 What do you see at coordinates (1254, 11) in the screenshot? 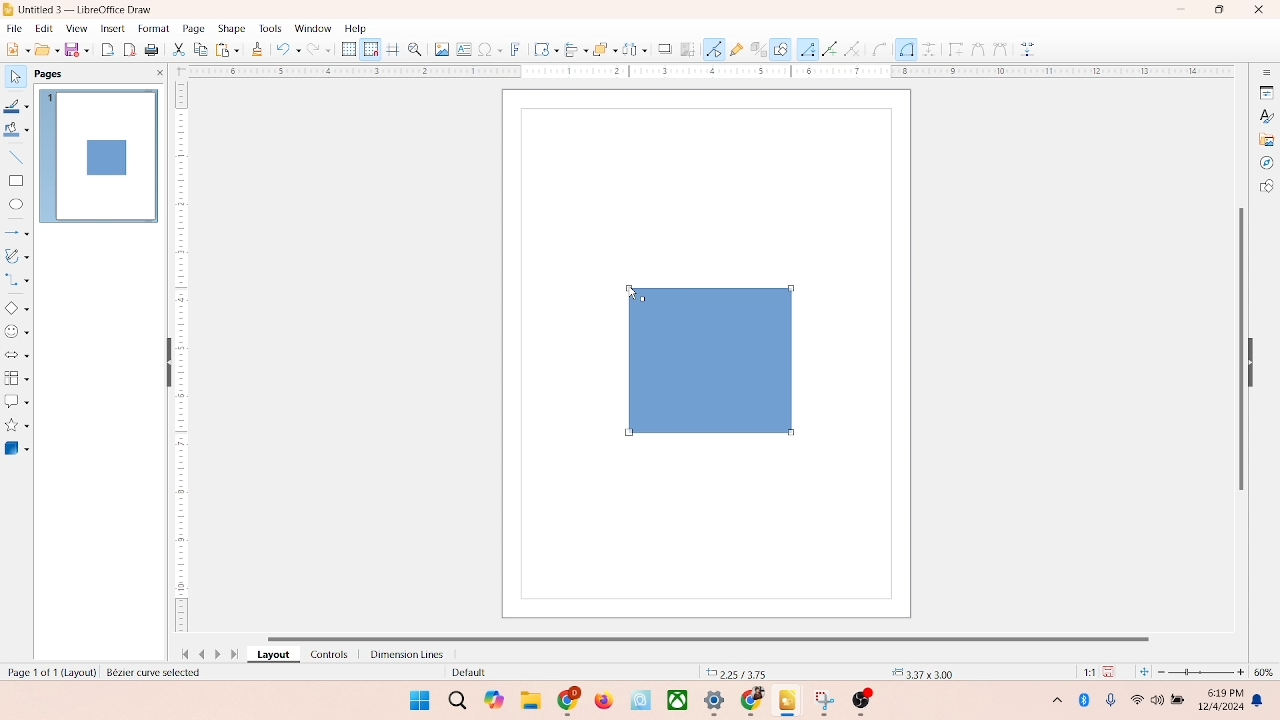
I see `close` at bounding box center [1254, 11].